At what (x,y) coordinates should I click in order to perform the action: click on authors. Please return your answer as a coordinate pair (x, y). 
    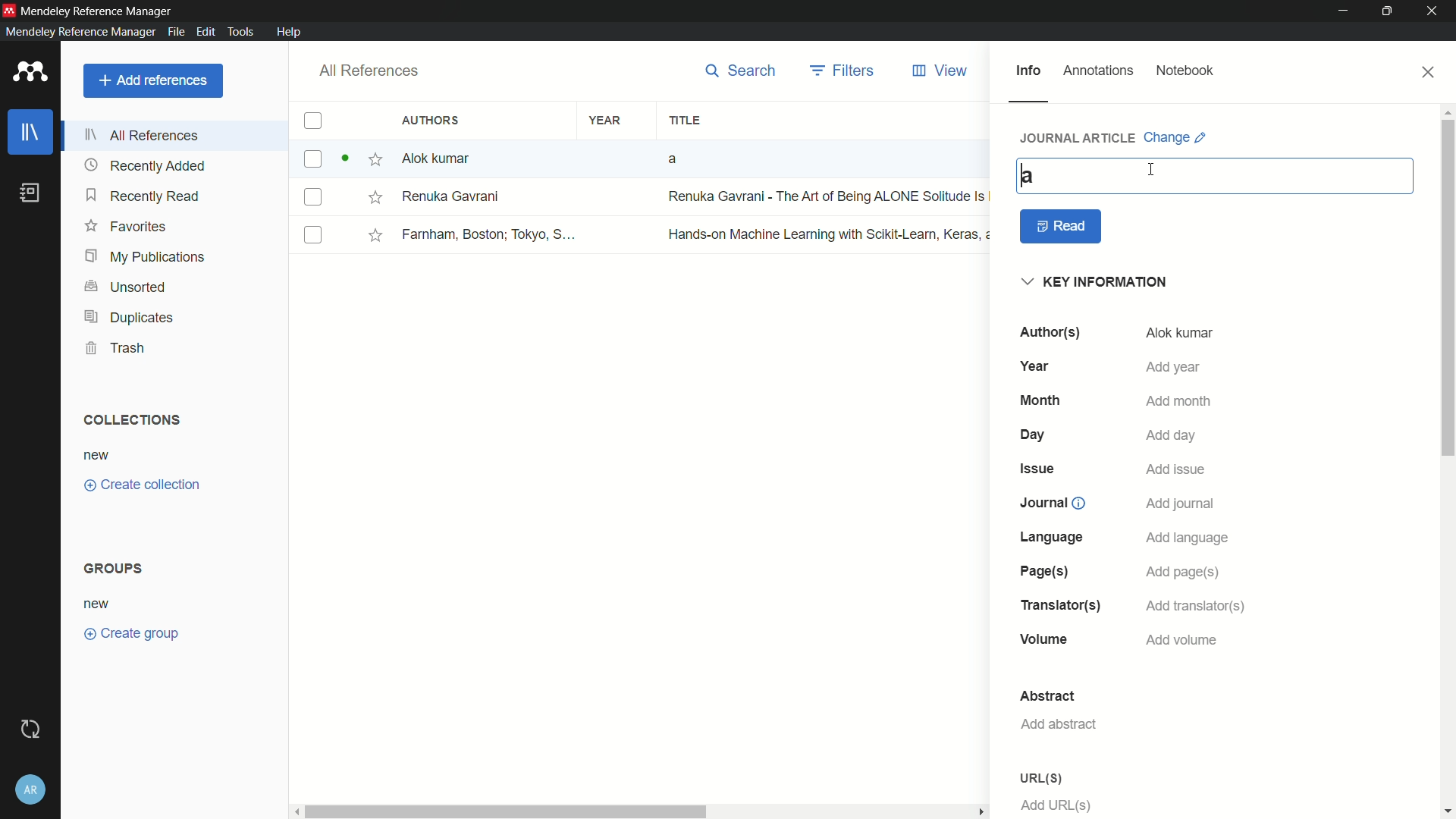
    Looking at the image, I should click on (433, 120).